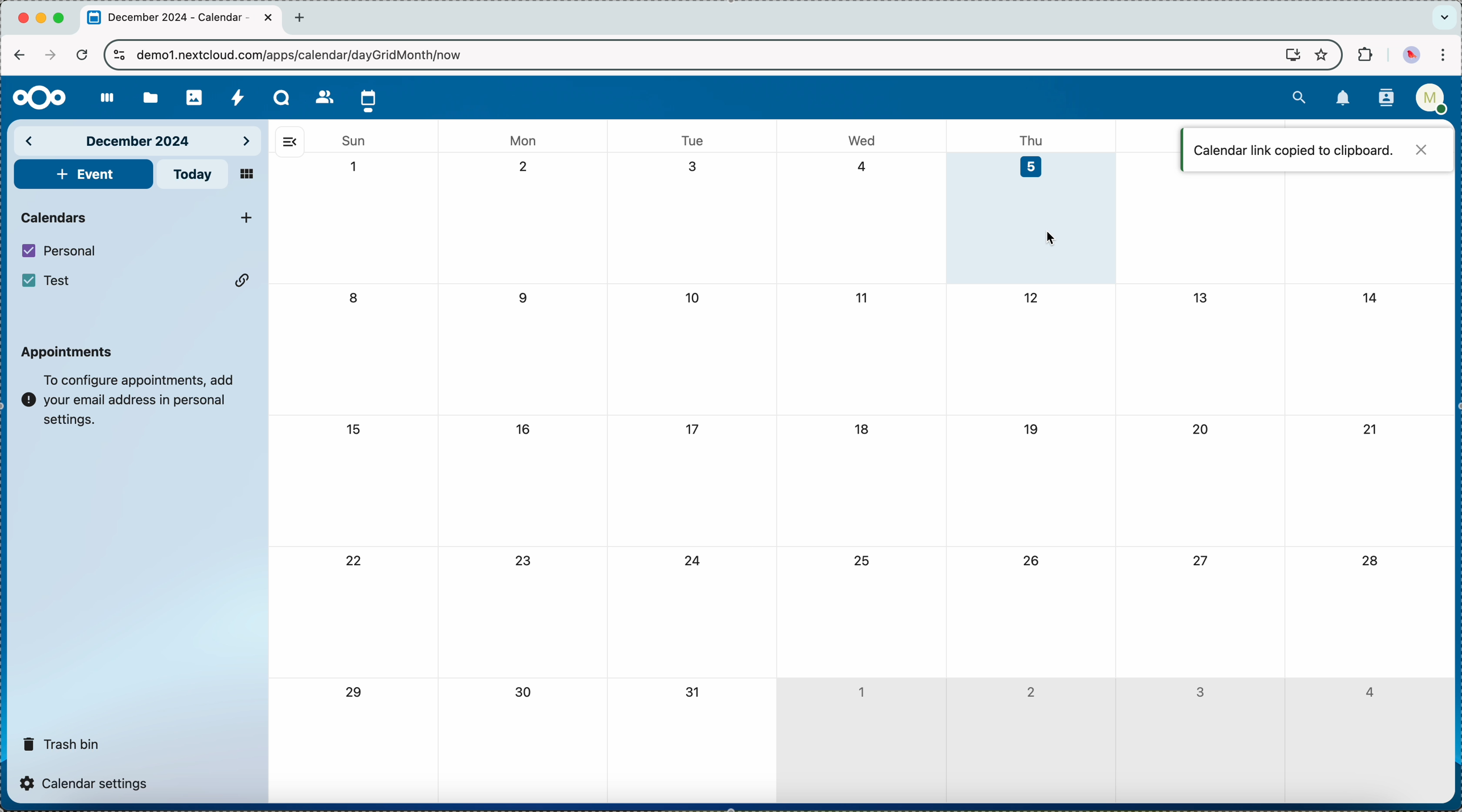  Describe the element at coordinates (1320, 54) in the screenshot. I see `favorites` at that location.